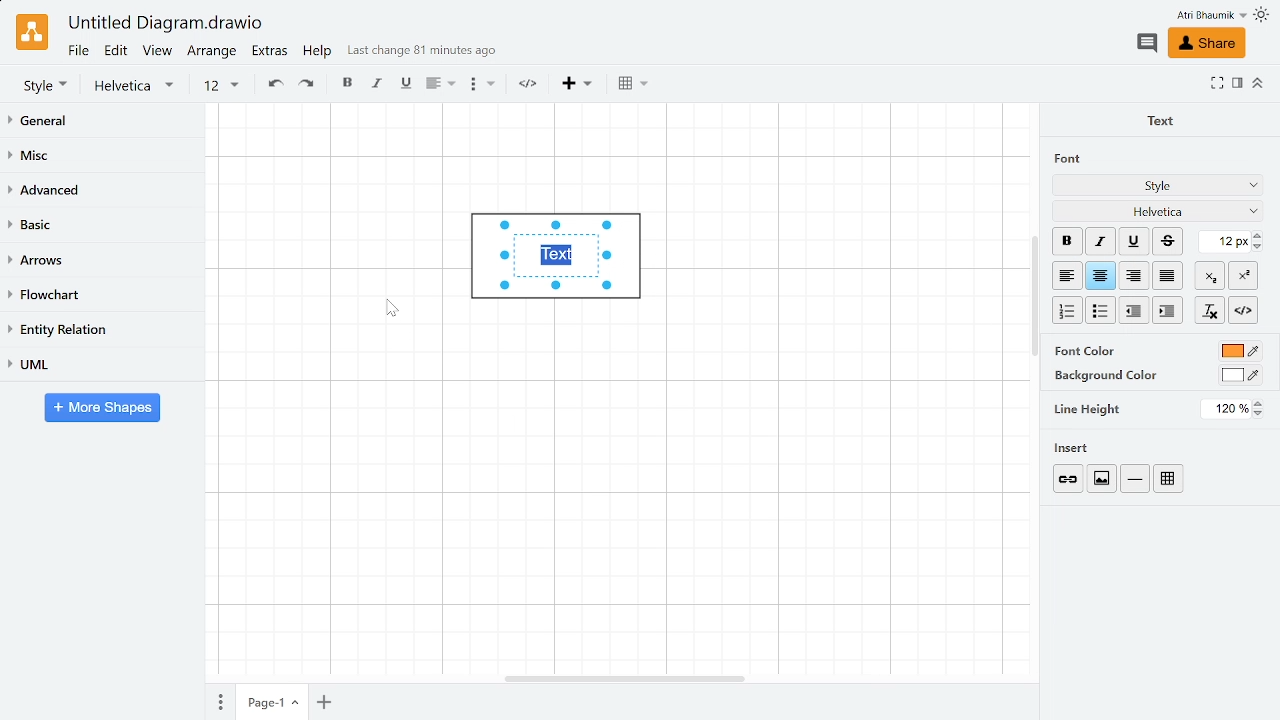 Image resolution: width=1280 pixels, height=720 pixels. Describe the element at coordinates (158, 53) in the screenshot. I see `View` at that location.